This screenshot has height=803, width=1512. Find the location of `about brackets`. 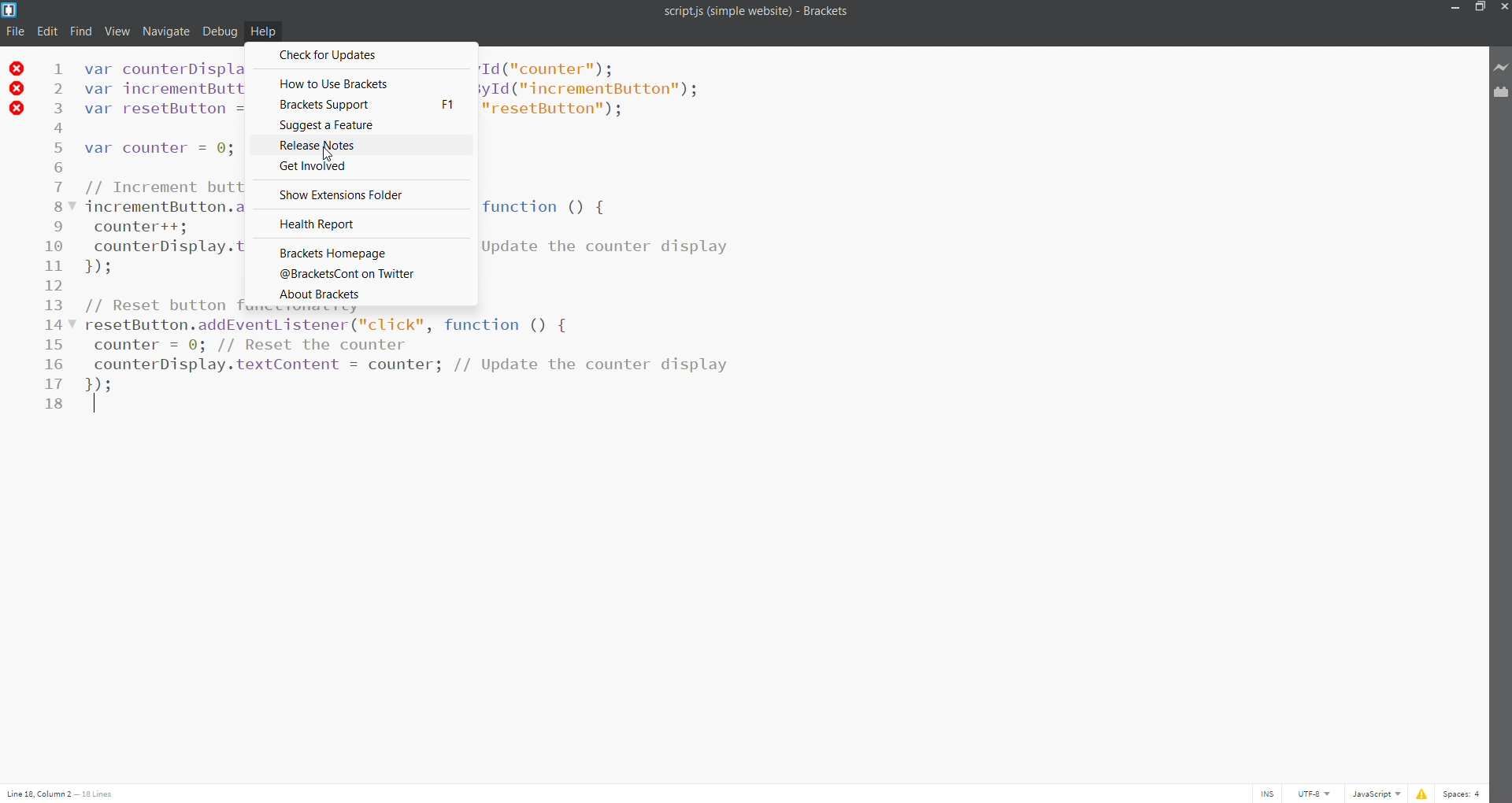

about brackets is located at coordinates (362, 294).